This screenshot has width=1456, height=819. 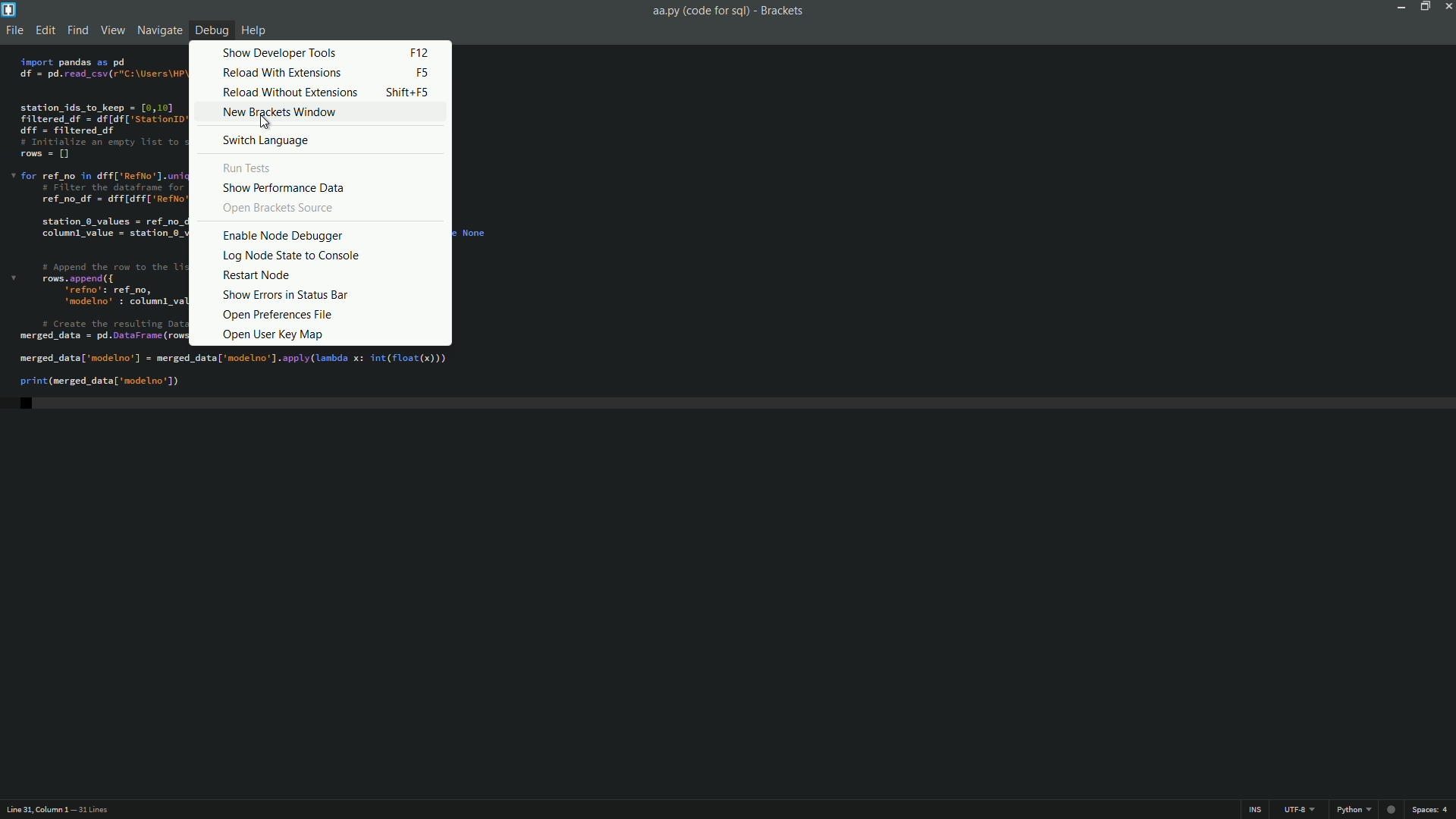 I want to click on Navigate menu, so click(x=158, y=32).